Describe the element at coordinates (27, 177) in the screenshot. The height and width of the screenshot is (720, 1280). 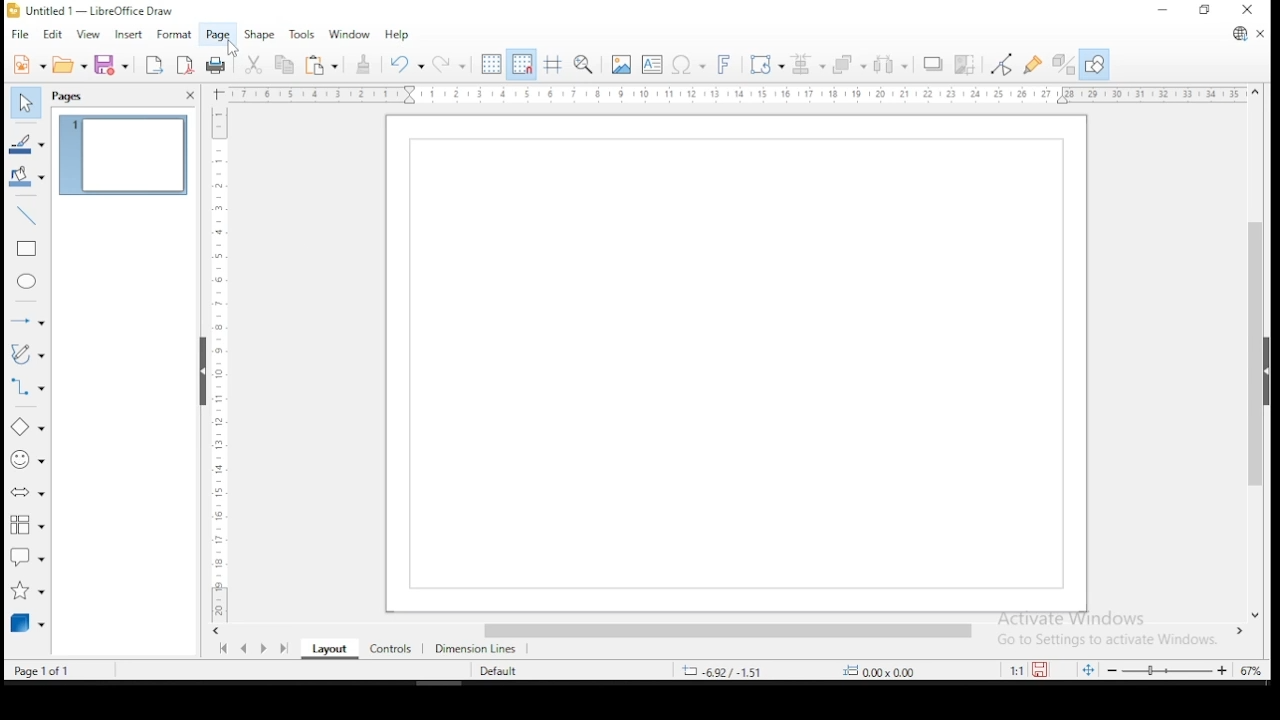
I see `fill color` at that location.